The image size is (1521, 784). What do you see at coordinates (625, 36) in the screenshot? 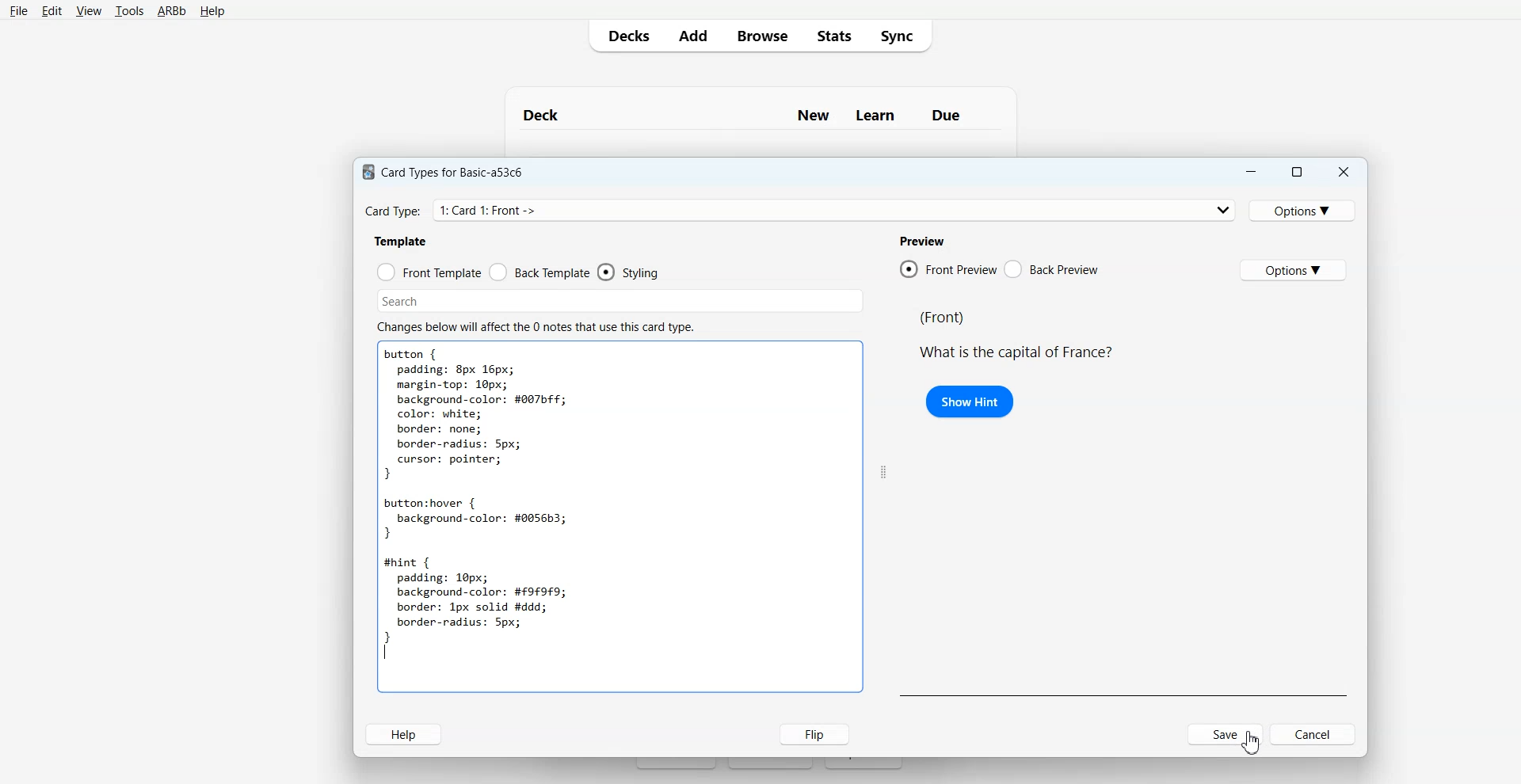
I see `Decks` at bounding box center [625, 36].